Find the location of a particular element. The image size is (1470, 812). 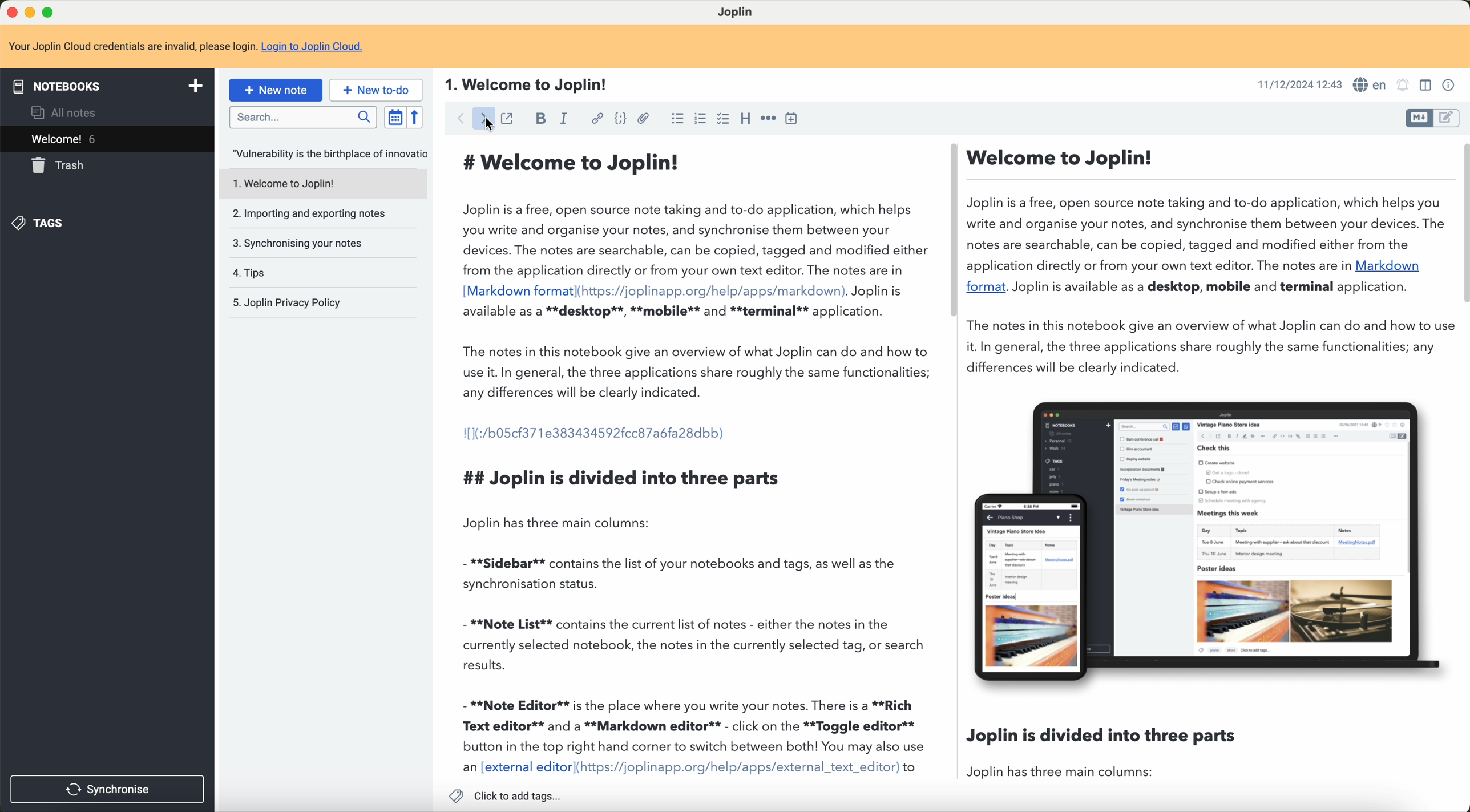

language is located at coordinates (1372, 86).